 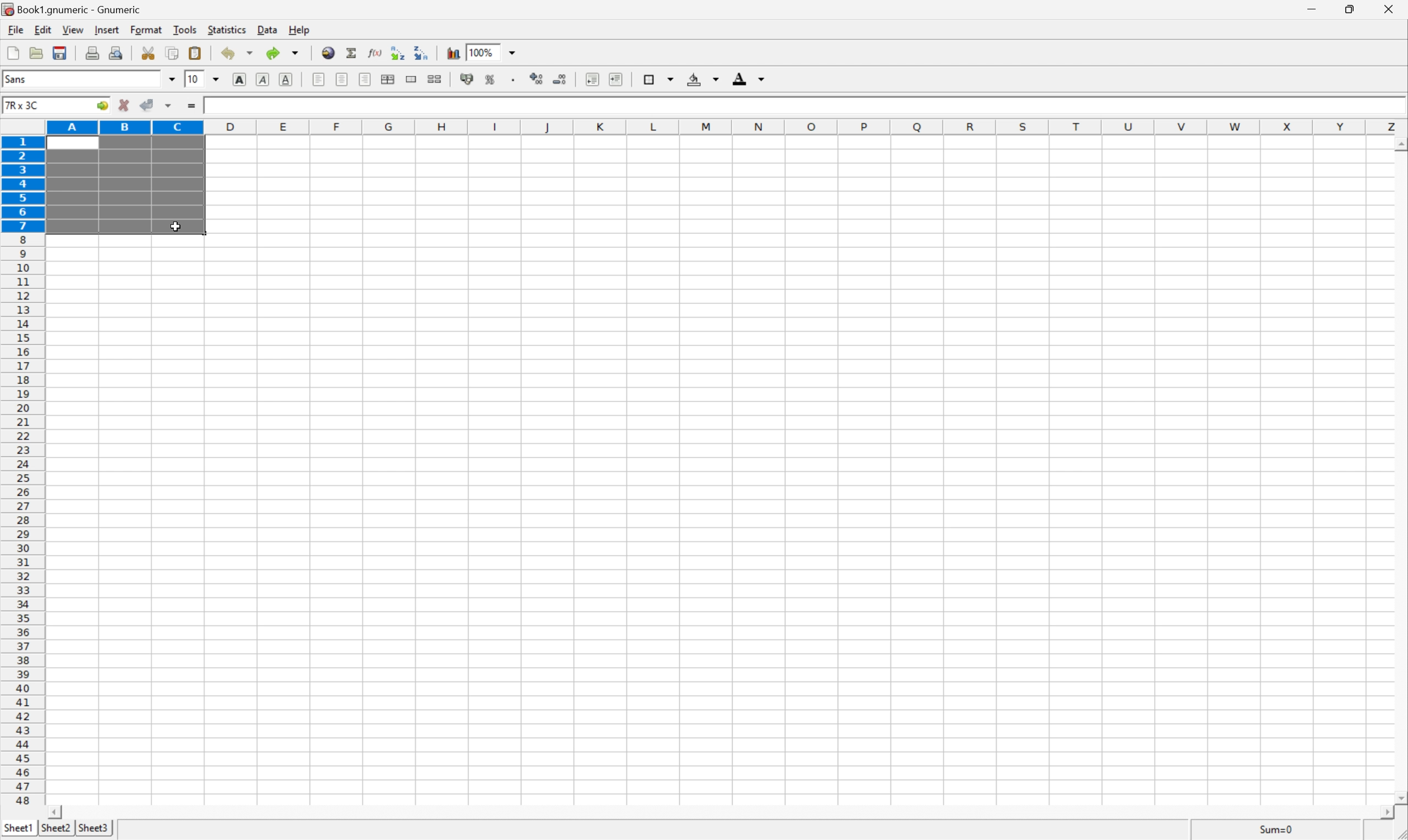 I want to click on insert chart, so click(x=452, y=52).